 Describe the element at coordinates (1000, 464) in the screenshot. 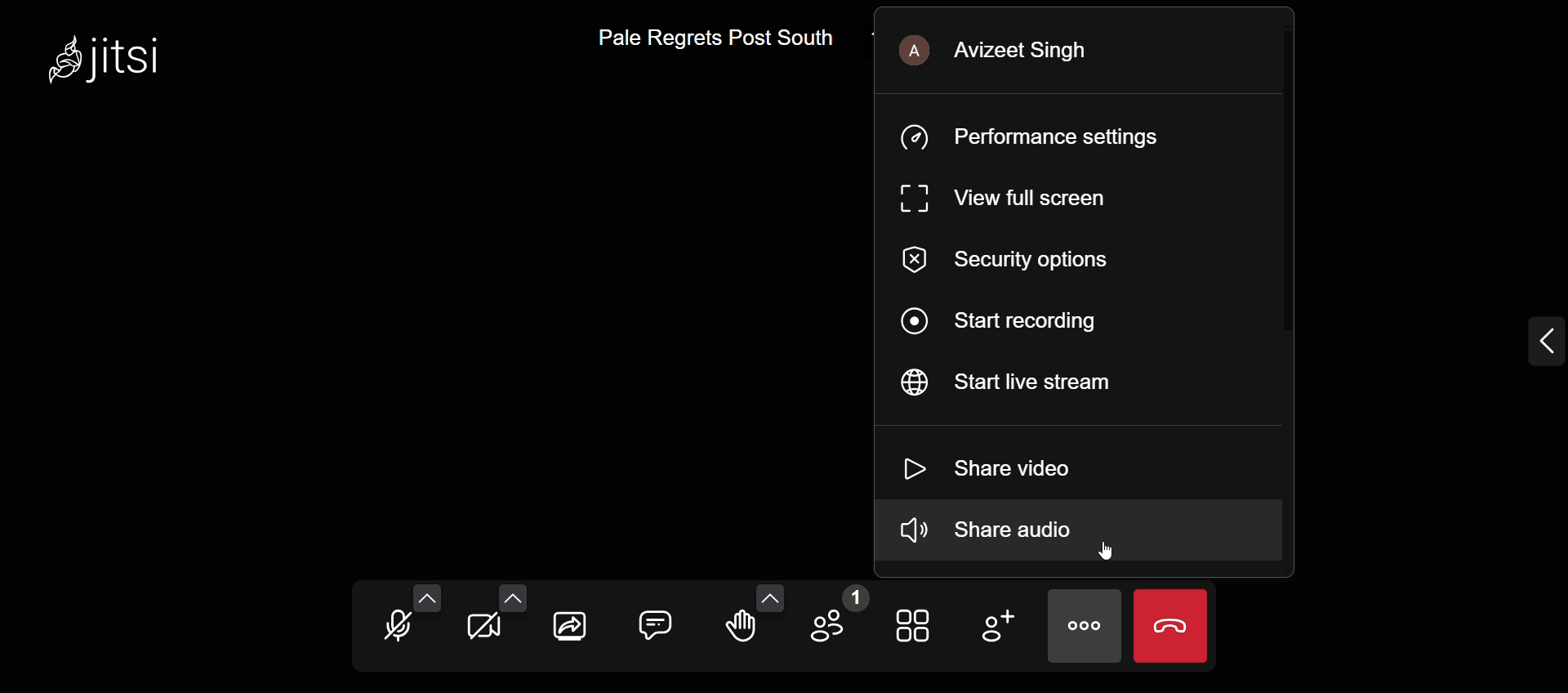

I see `share video` at that location.